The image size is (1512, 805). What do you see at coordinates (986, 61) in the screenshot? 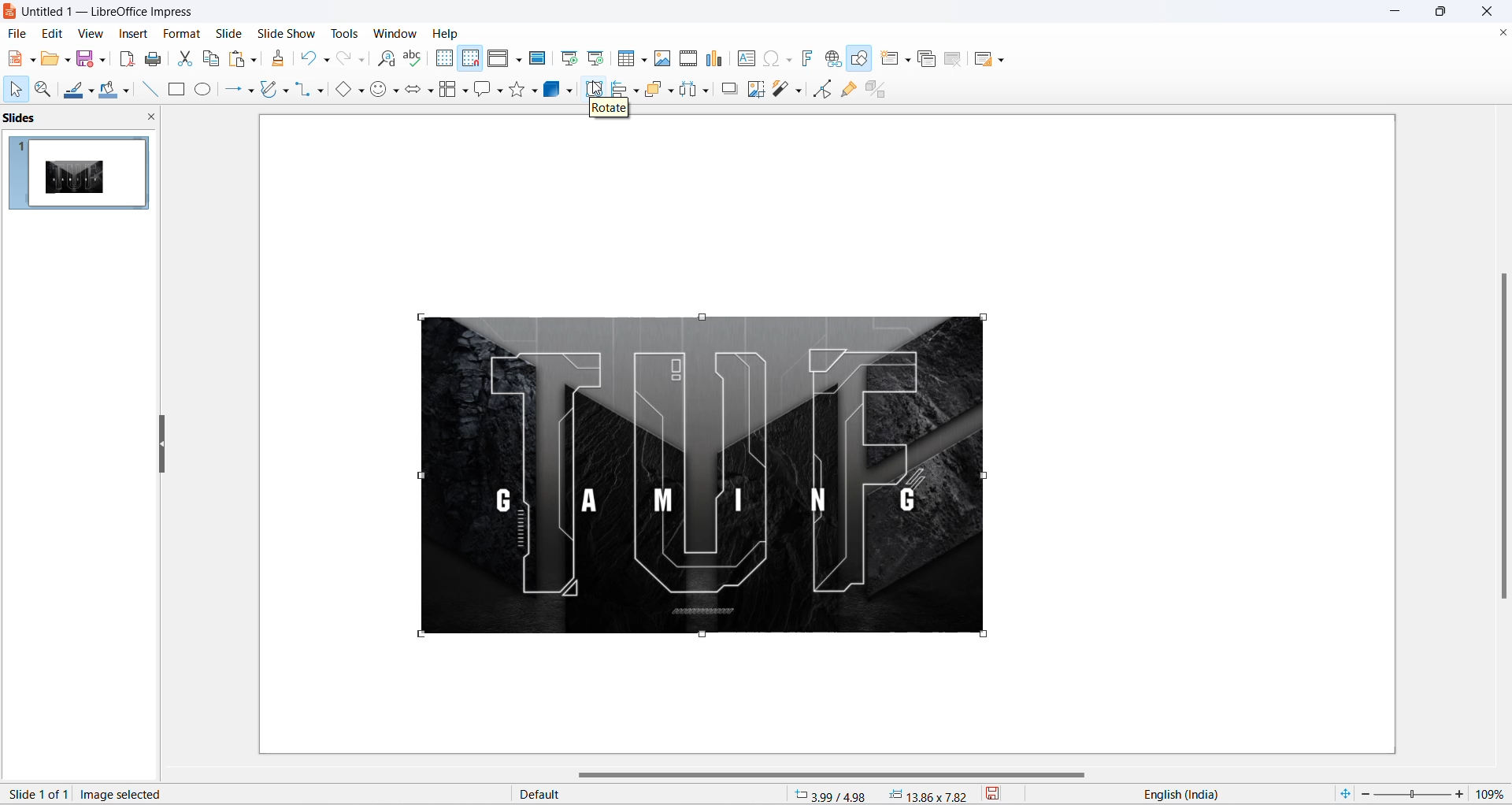
I see `slide layout icon` at bounding box center [986, 61].